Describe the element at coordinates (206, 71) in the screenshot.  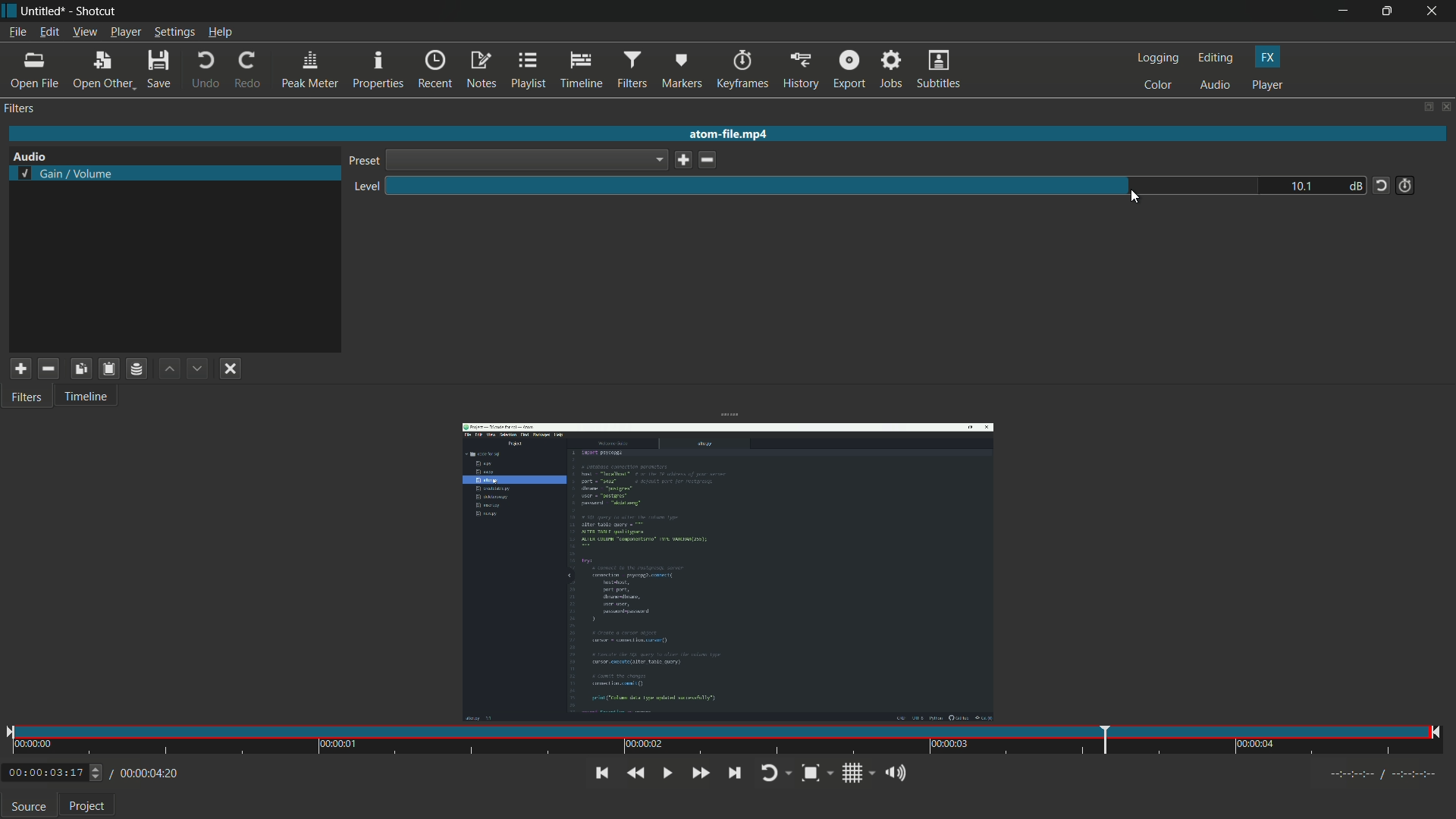
I see `undo` at that location.